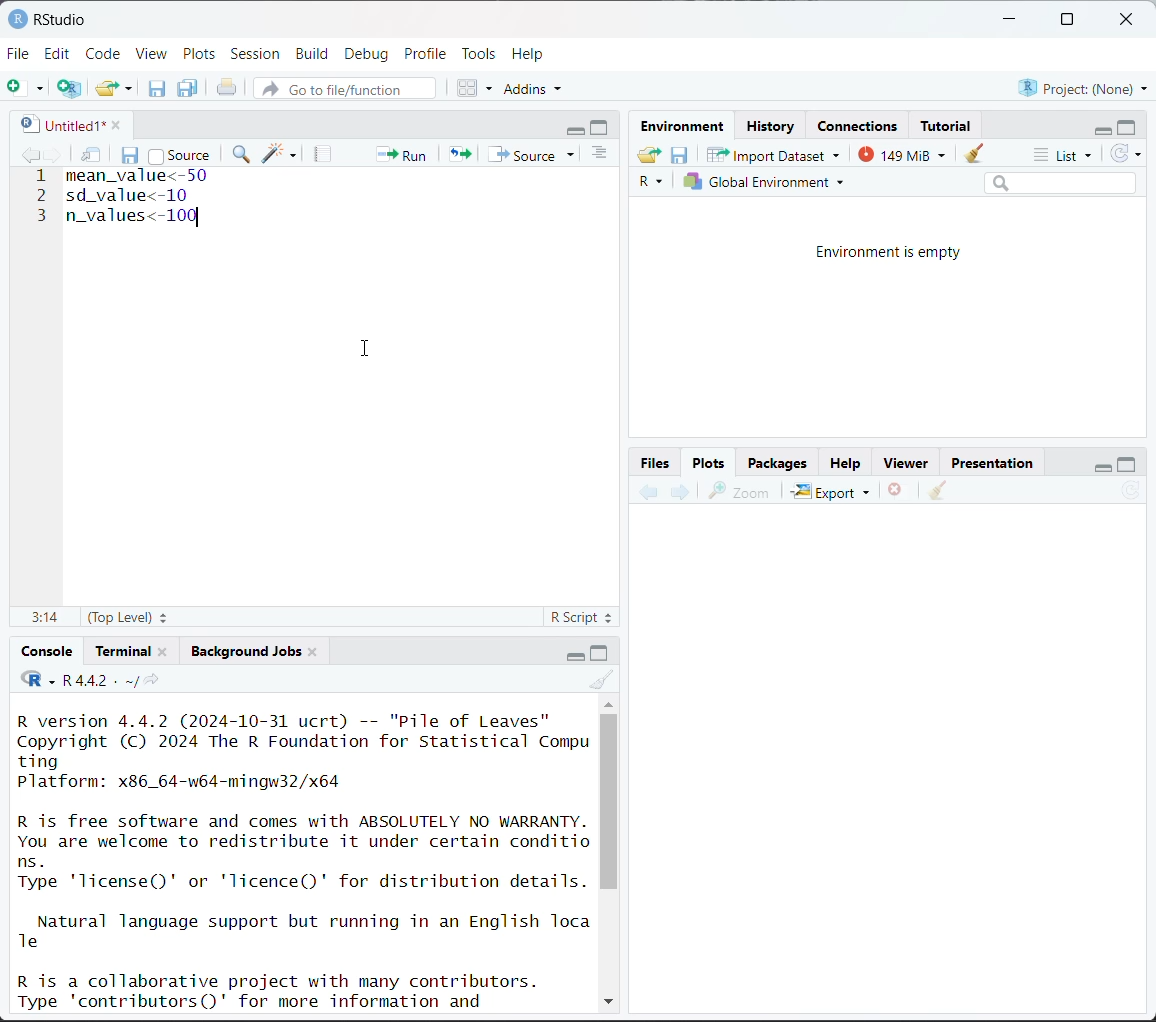 The width and height of the screenshot is (1156, 1022). I want to click on save current document, so click(131, 153).